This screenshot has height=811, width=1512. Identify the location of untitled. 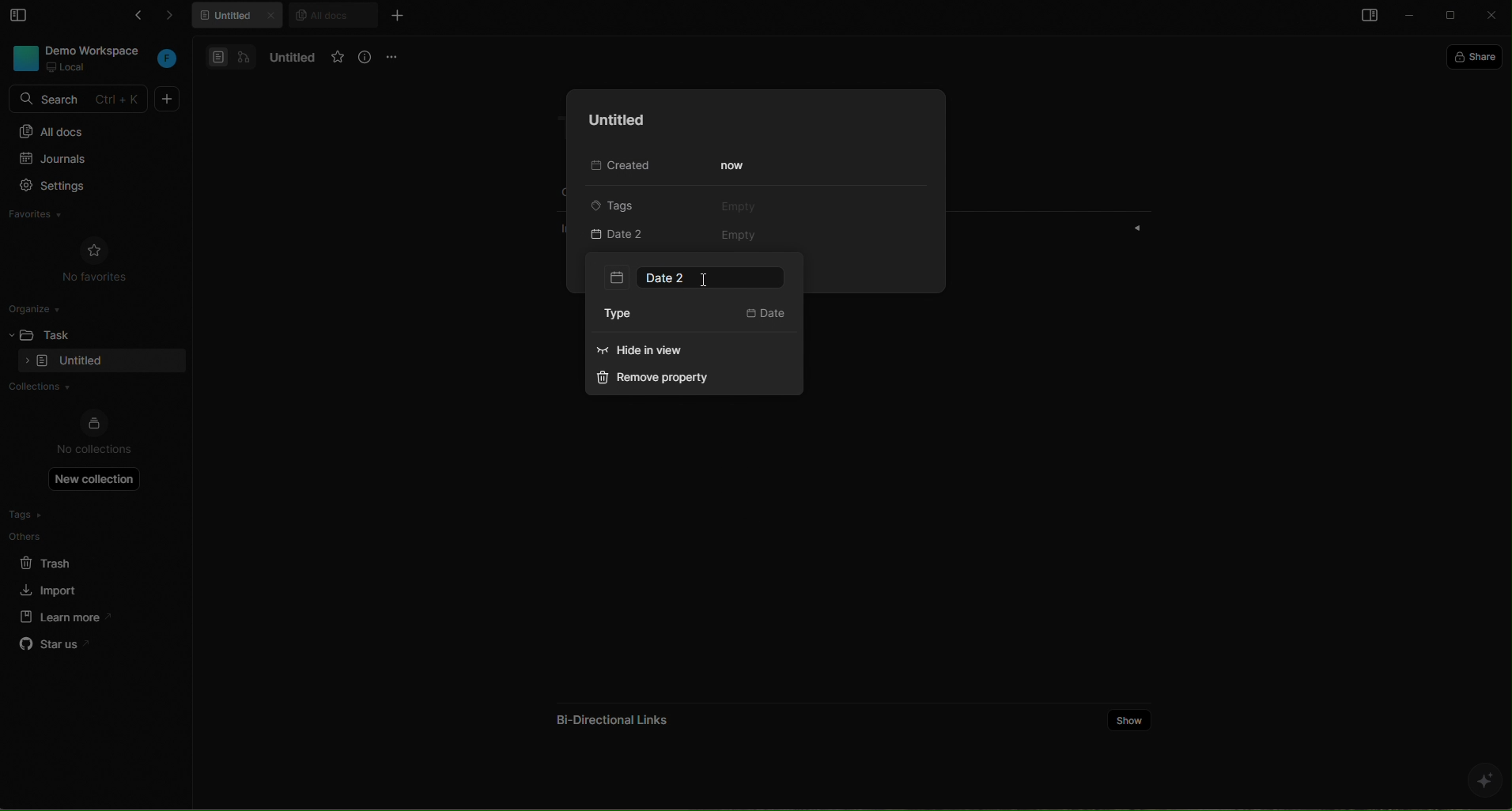
(289, 58).